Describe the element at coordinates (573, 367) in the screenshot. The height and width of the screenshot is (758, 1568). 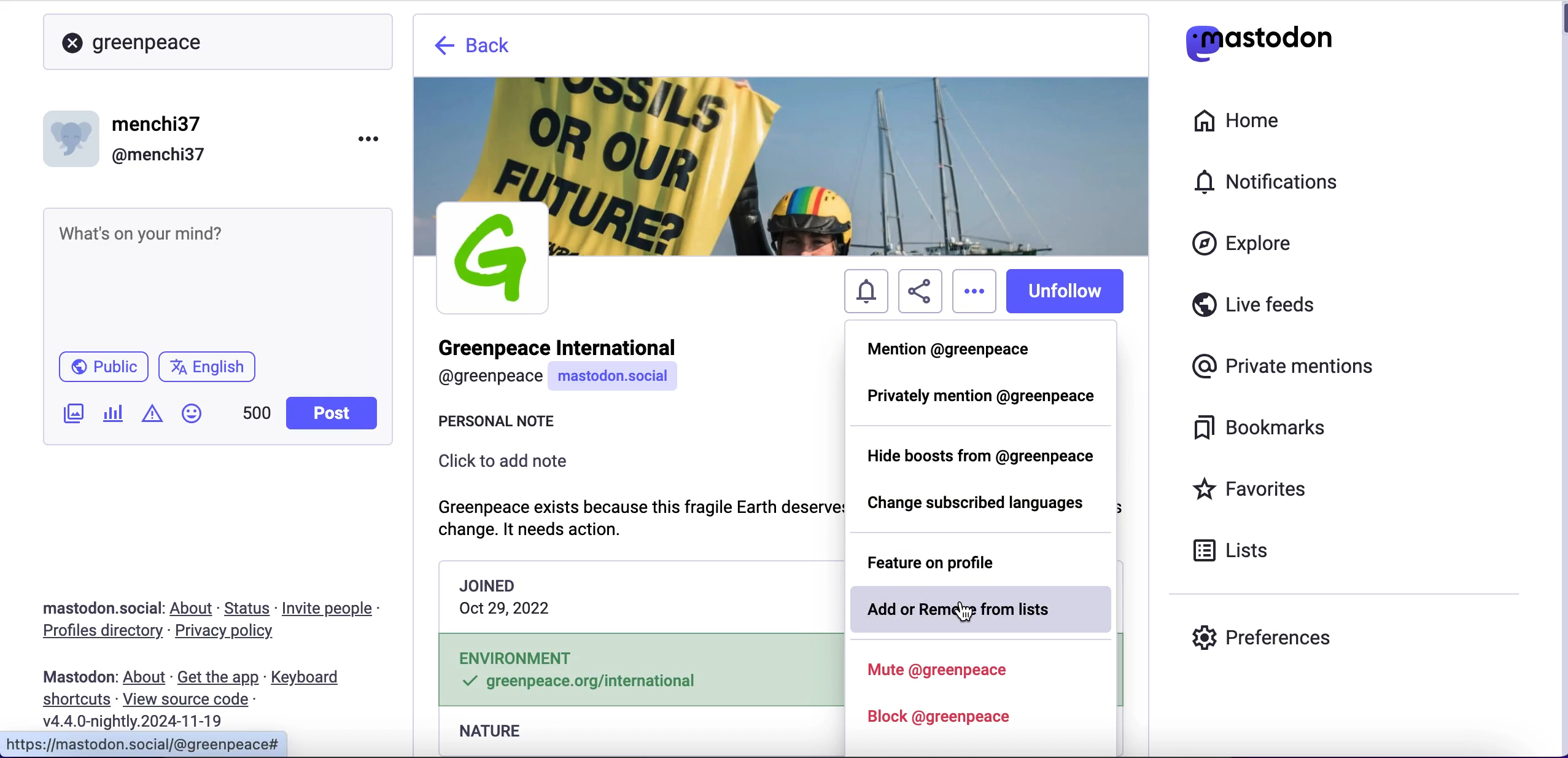
I see `user ` at that location.